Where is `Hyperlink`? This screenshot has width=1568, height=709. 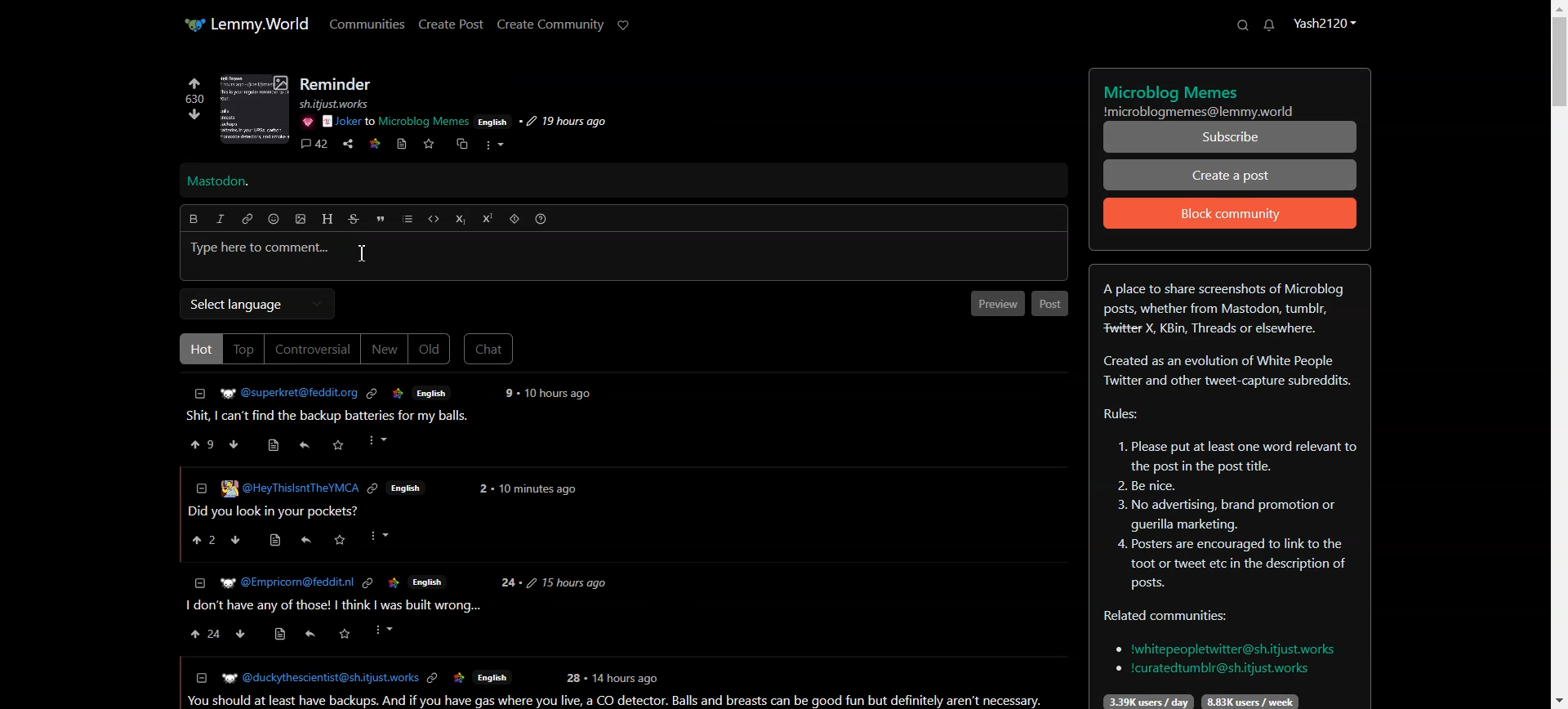
Hyperlink is located at coordinates (247, 219).